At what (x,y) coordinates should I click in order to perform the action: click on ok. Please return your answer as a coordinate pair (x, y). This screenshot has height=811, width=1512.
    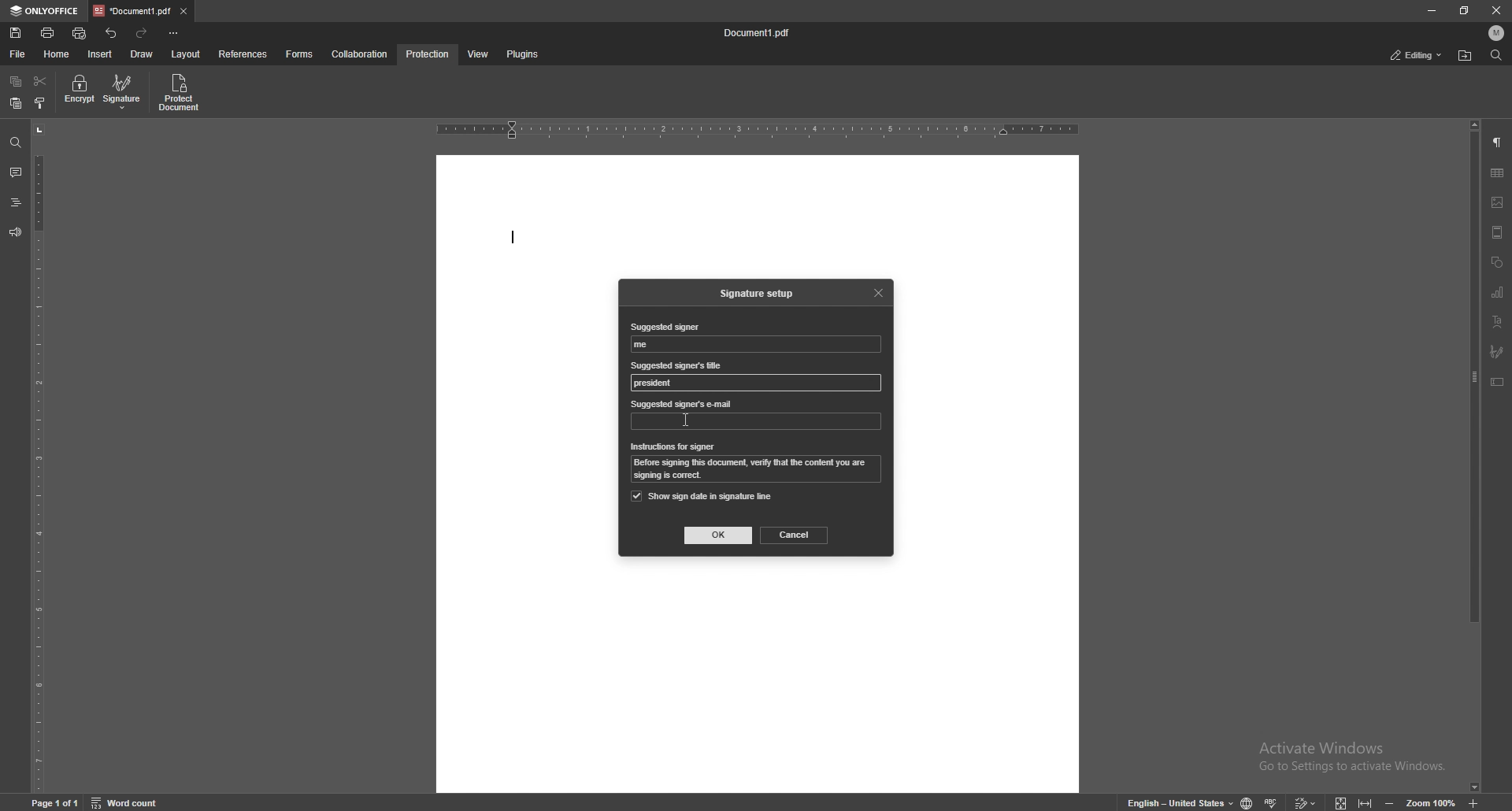
    Looking at the image, I should click on (719, 535).